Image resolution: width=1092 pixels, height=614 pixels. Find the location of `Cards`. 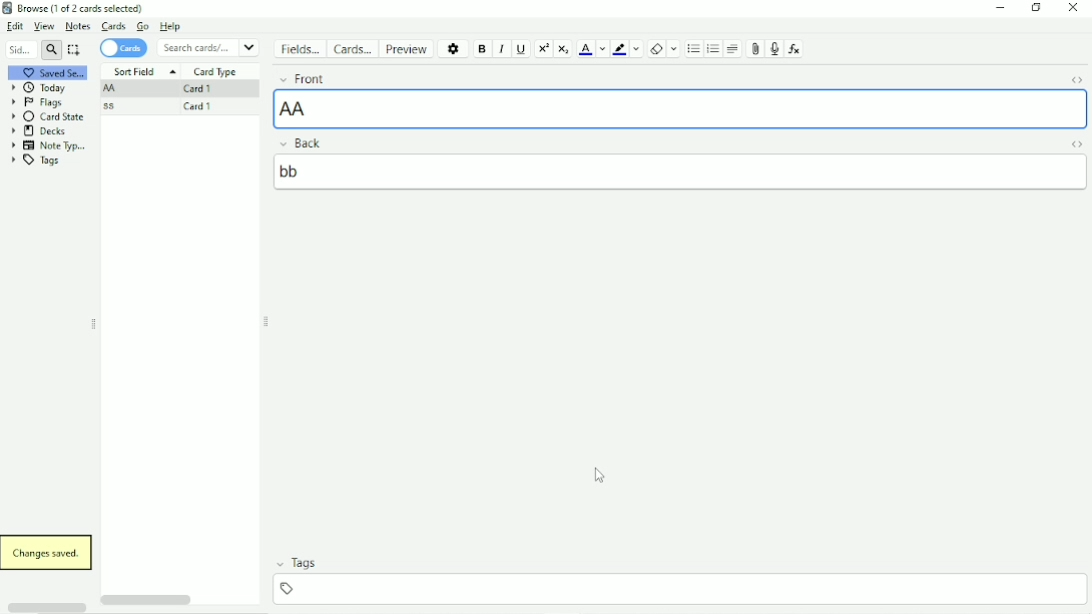

Cards is located at coordinates (113, 27).